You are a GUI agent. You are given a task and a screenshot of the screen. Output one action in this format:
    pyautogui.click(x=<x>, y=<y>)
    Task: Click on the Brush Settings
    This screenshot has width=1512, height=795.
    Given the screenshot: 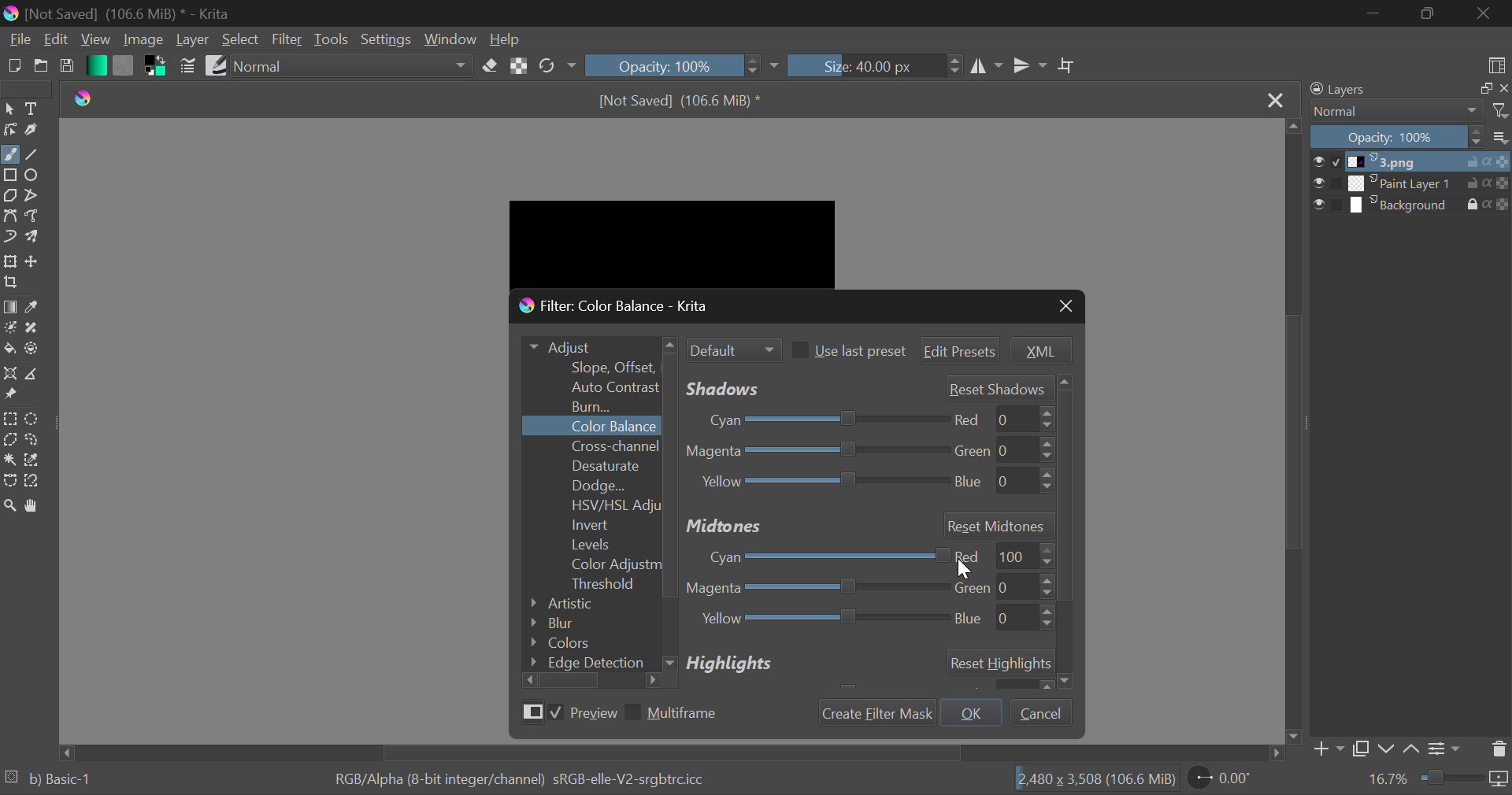 What is the action you would take?
    pyautogui.click(x=188, y=65)
    